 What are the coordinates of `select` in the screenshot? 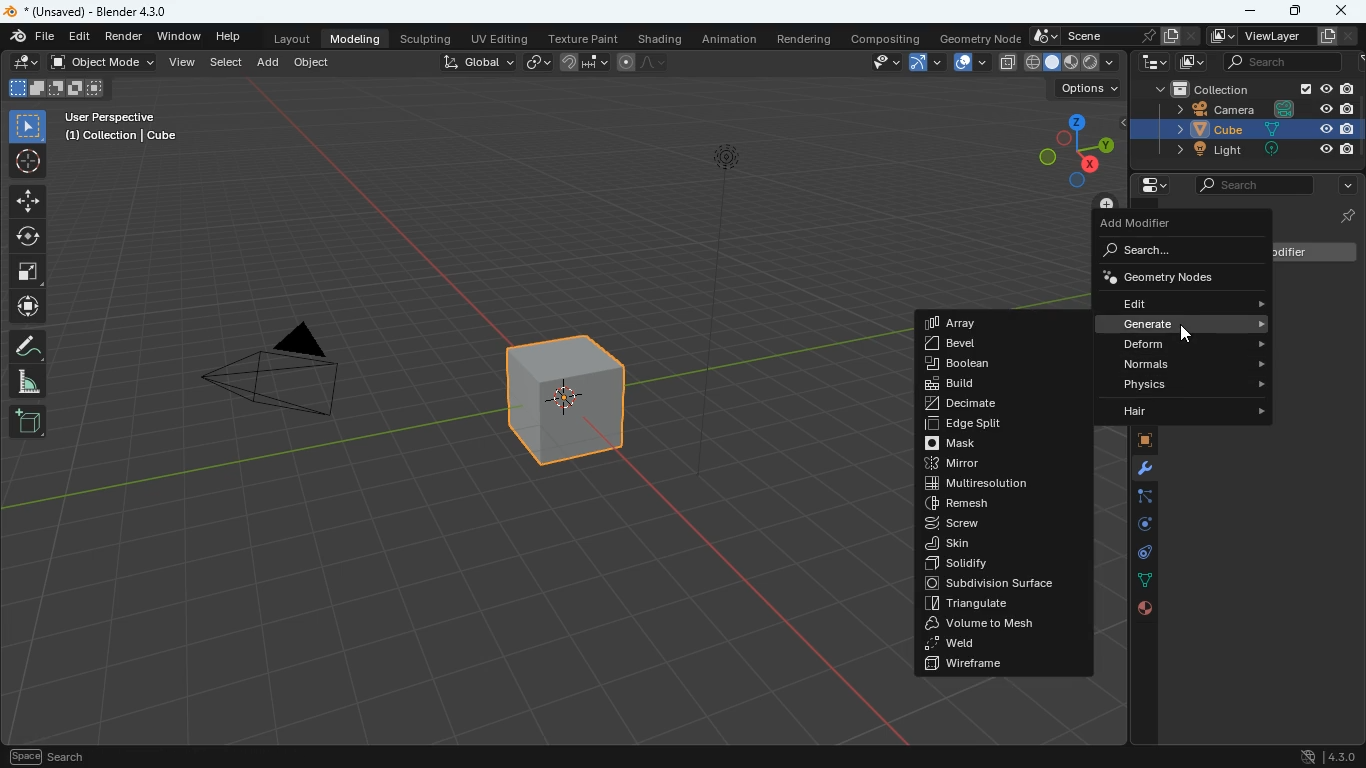 It's located at (30, 126).